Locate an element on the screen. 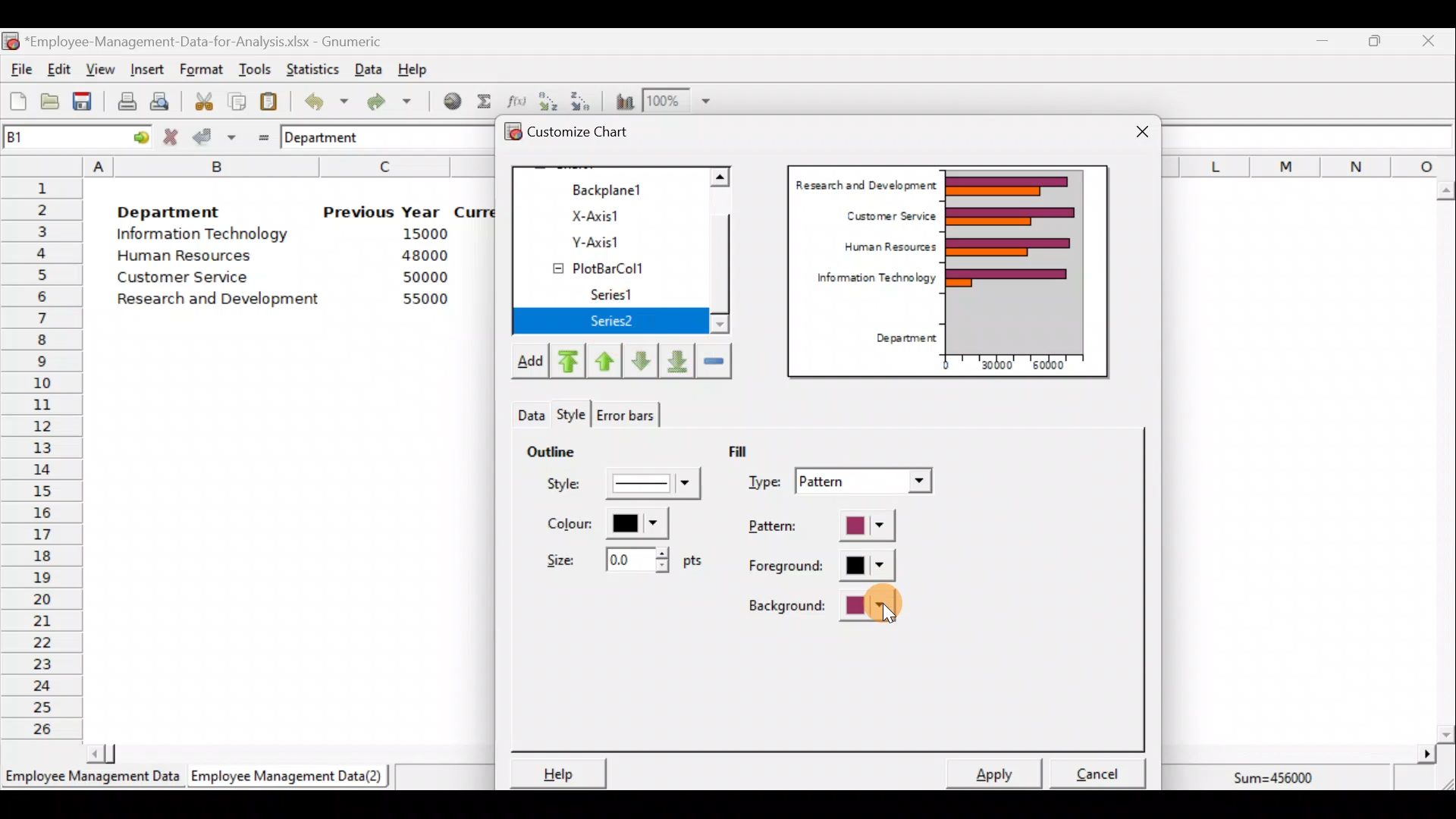 The width and height of the screenshot is (1456, 819). Close is located at coordinates (1142, 133).